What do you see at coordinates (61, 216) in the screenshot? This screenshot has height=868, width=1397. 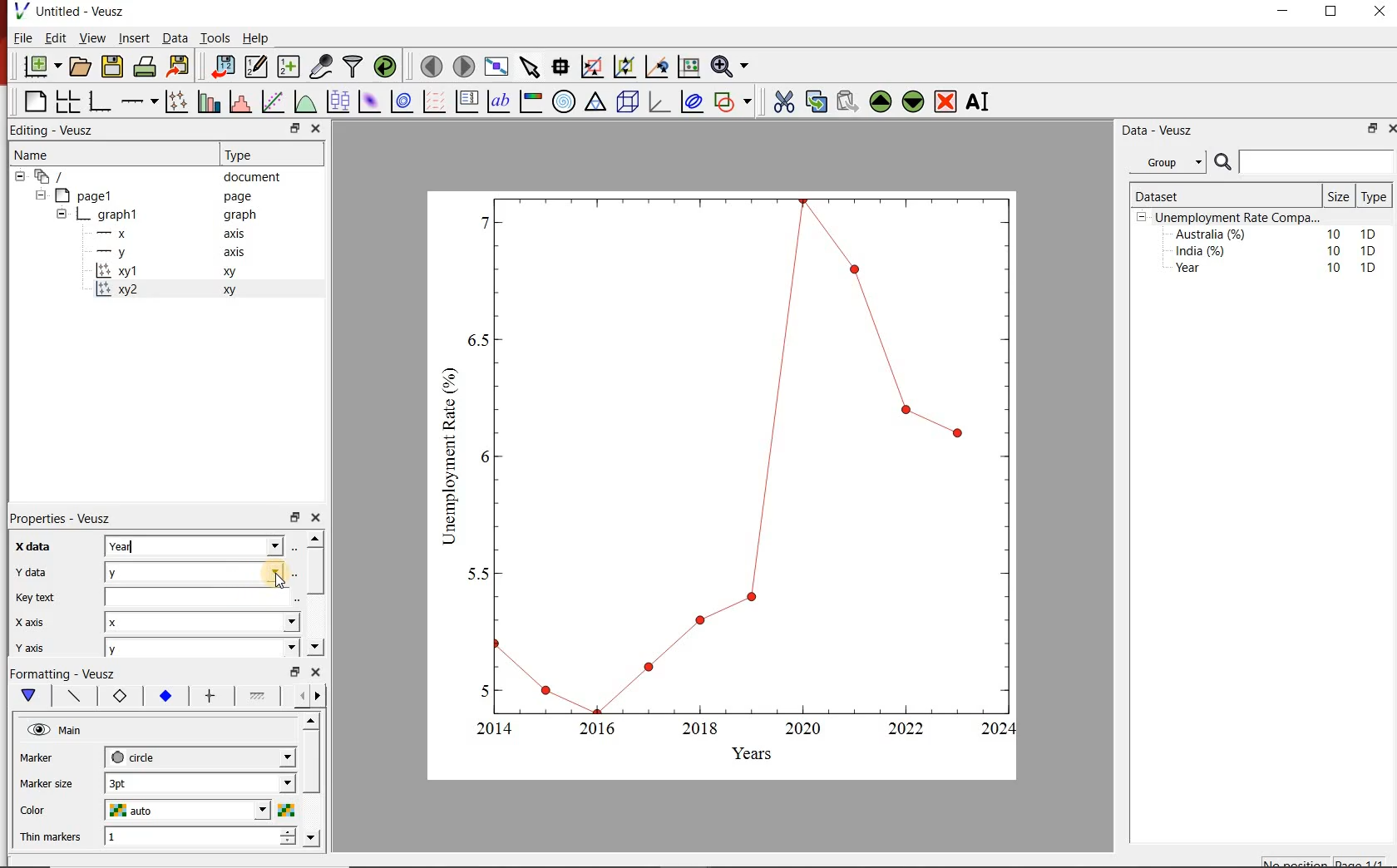 I see `collapse` at bounding box center [61, 216].